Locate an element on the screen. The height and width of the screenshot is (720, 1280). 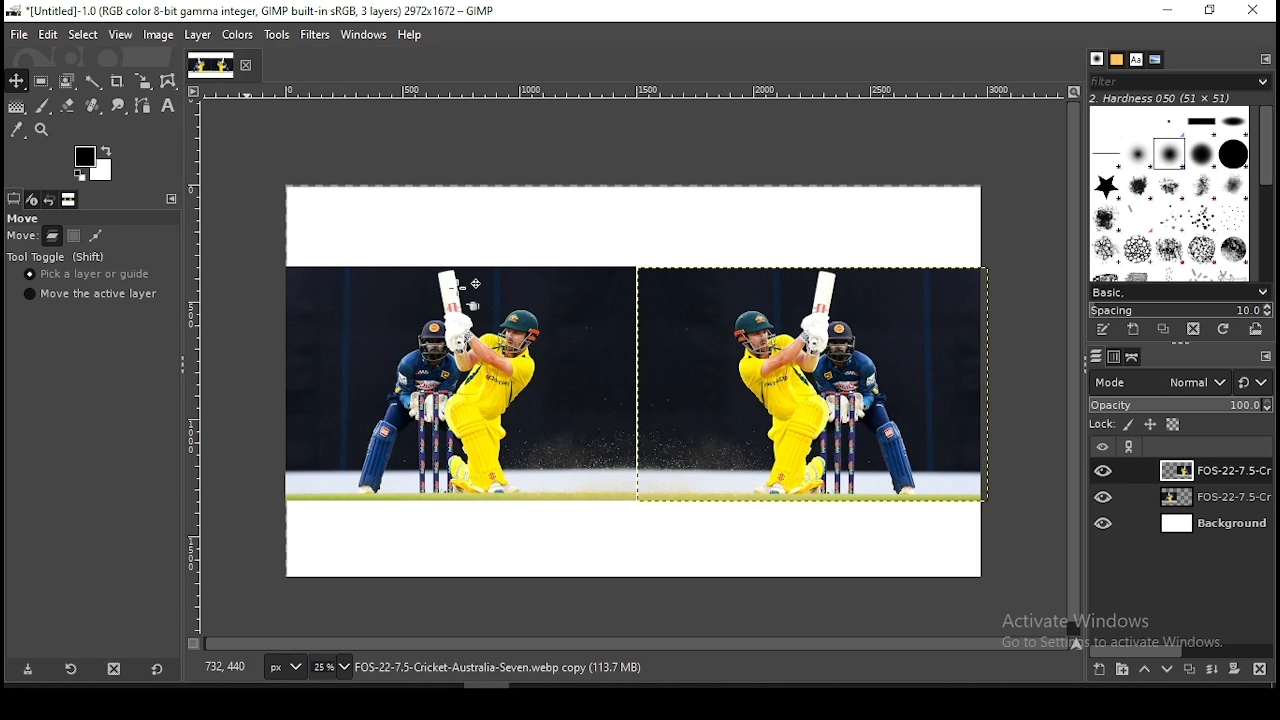
Coordinates is located at coordinates (227, 667).